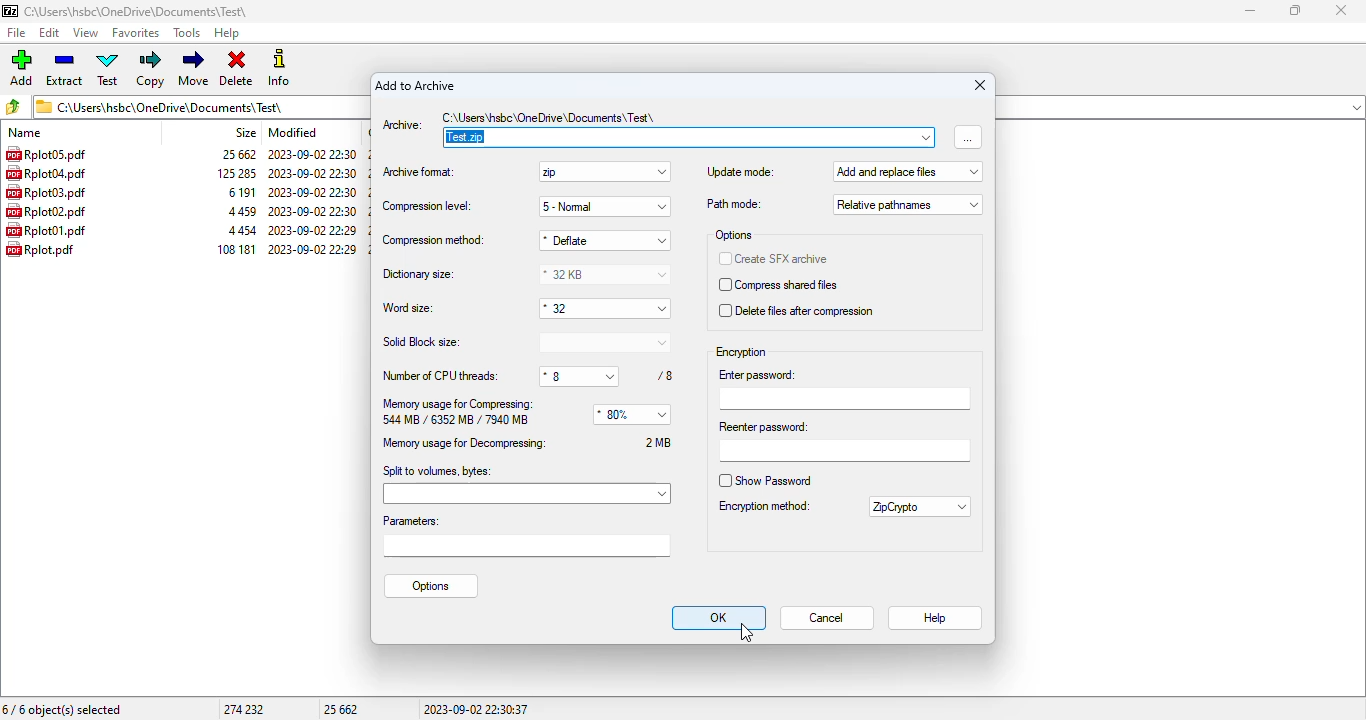 The image size is (1366, 720). What do you see at coordinates (46, 192) in the screenshot?
I see `rplot03` at bounding box center [46, 192].